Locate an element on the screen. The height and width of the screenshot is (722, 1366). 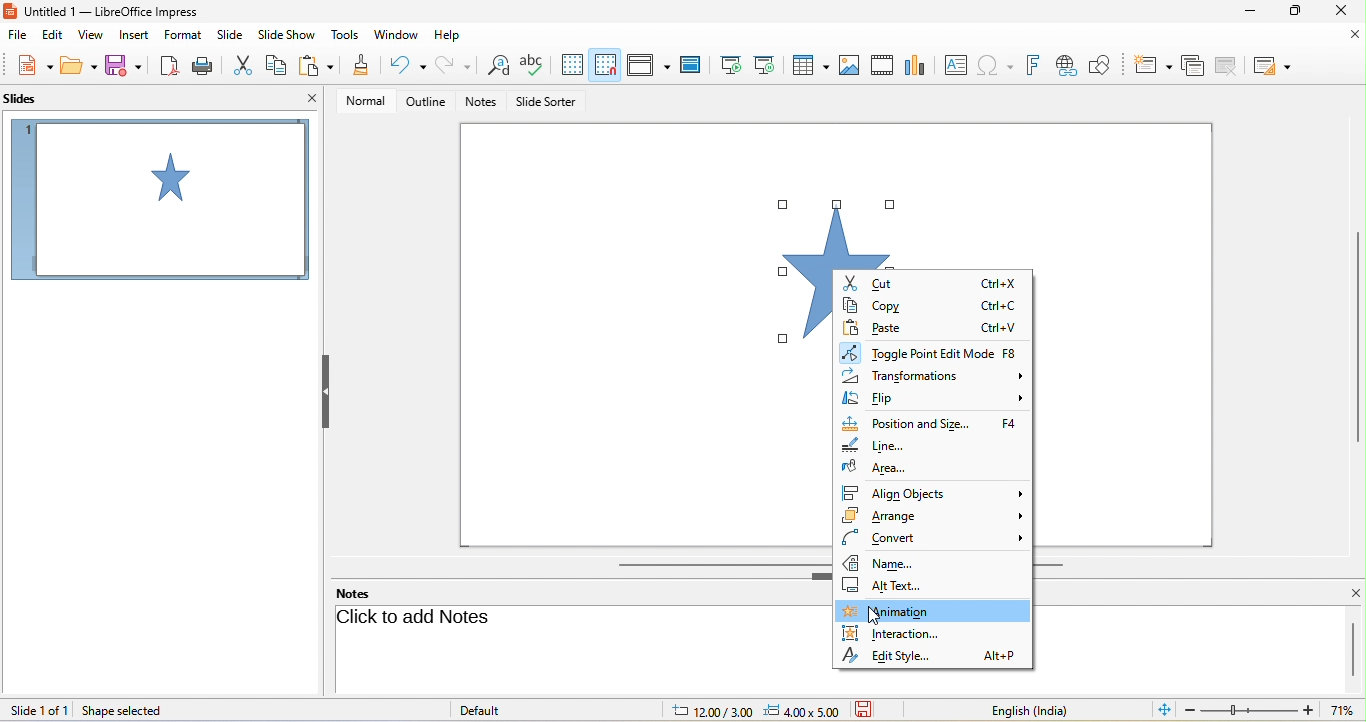
close is located at coordinates (308, 99).